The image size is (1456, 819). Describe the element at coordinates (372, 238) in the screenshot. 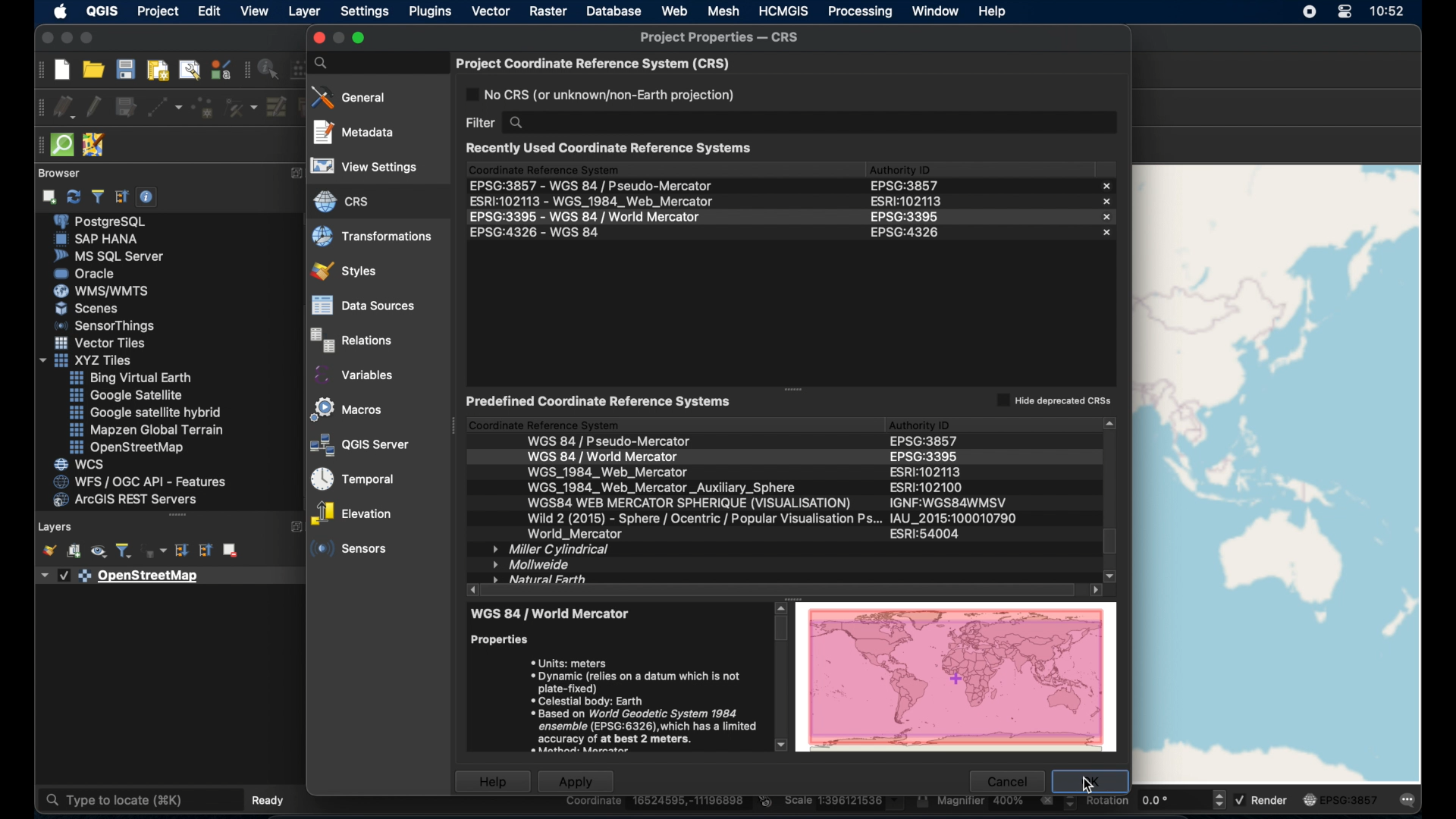

I see `transformations` at that location.